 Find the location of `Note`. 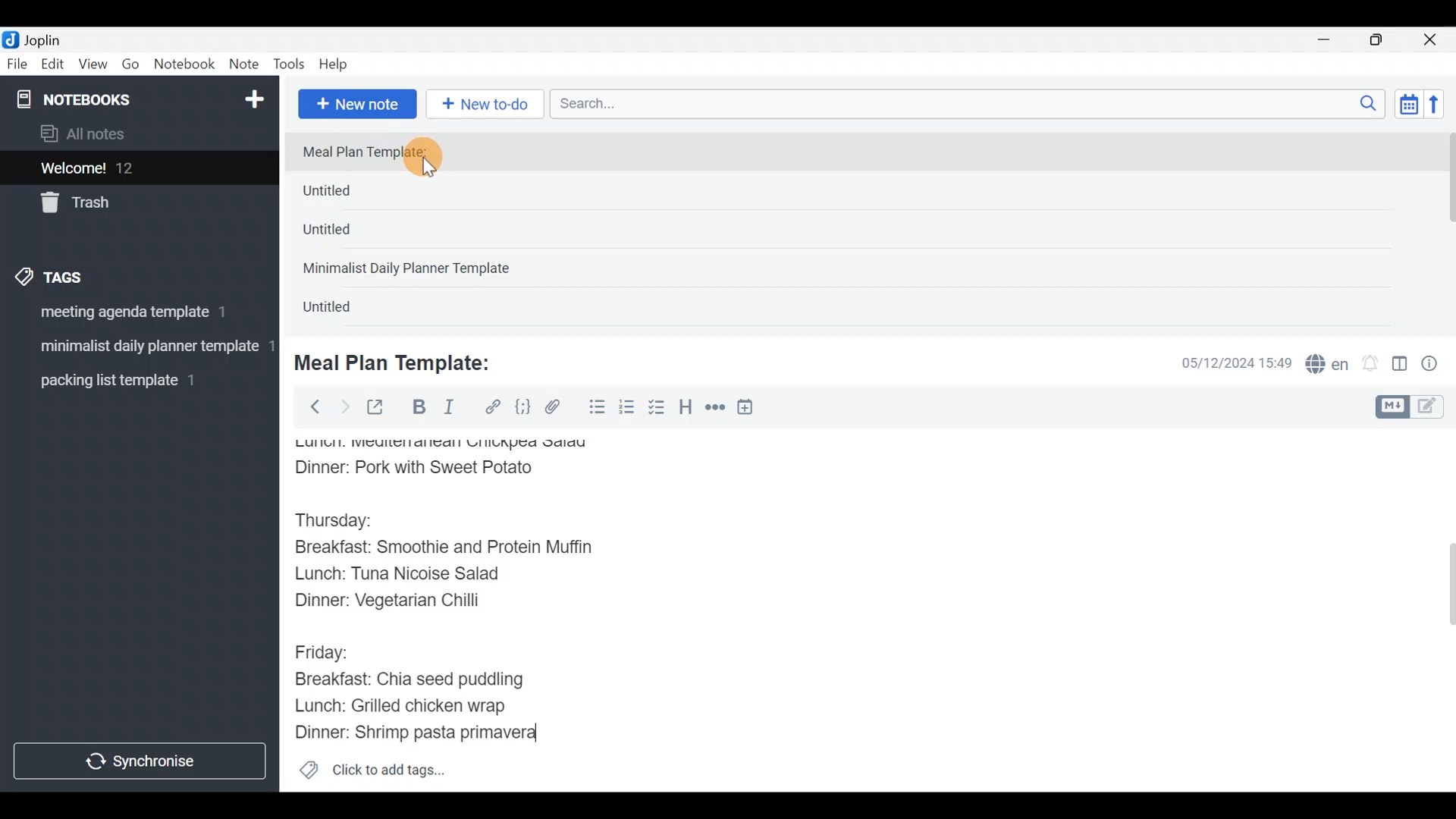

Note is located at coordinates (247, 65).